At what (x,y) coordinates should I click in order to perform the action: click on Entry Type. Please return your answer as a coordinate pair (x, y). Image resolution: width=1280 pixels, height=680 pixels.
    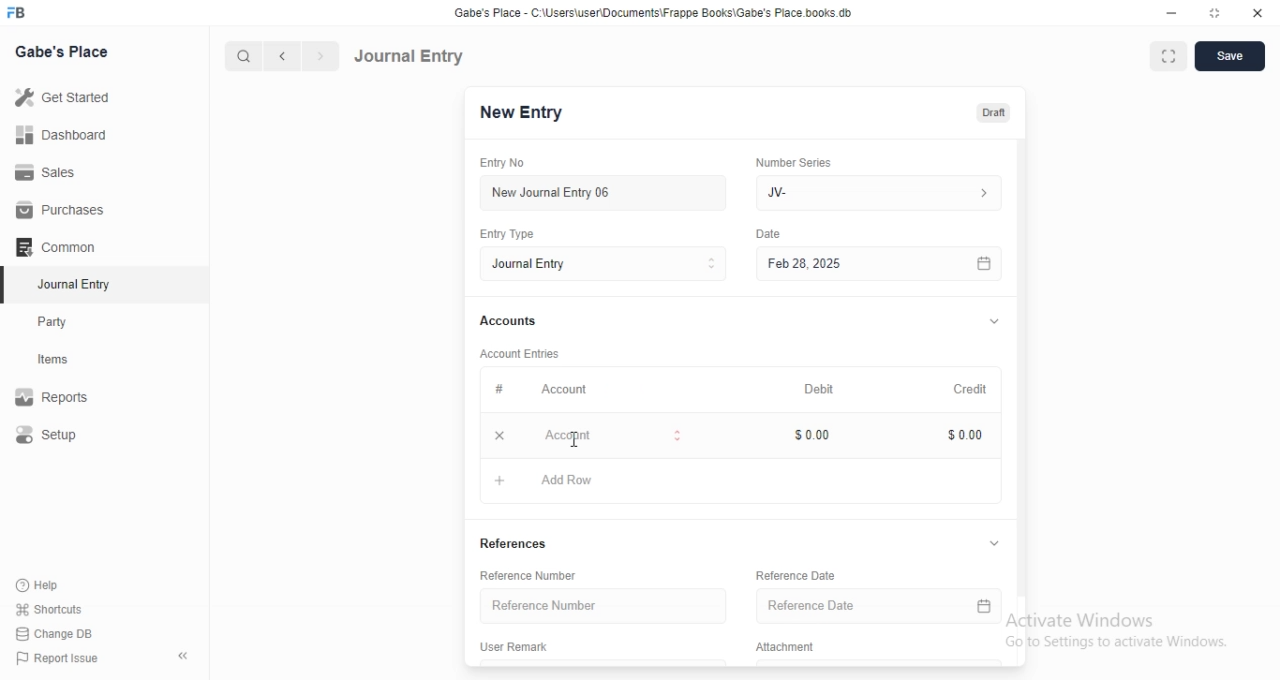
    Looking at the image, I should click on (514, 233).